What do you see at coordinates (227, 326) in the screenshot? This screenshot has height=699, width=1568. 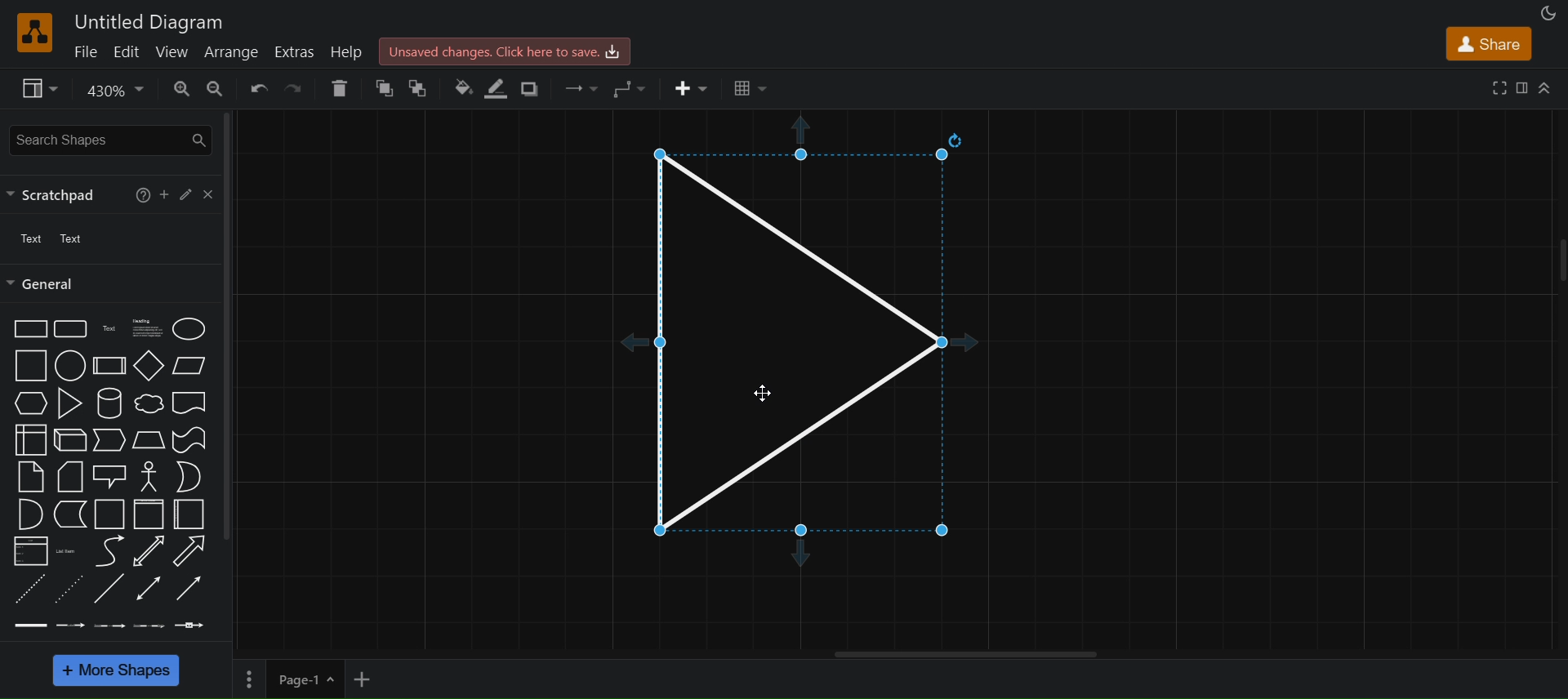 I see `vertical scroll bar` at bounding box center [227, 326].